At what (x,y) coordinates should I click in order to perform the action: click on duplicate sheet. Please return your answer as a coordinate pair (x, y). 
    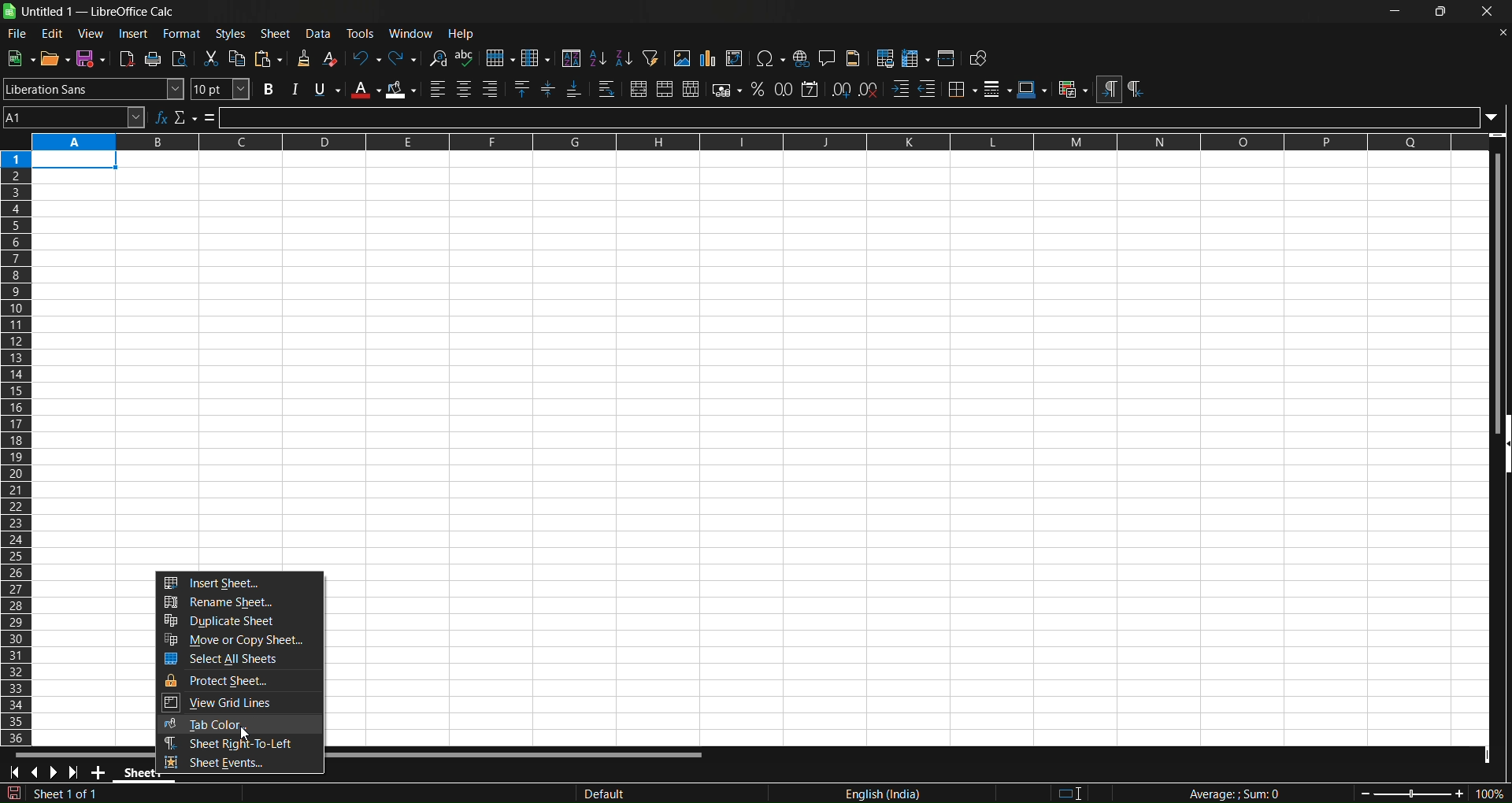
    Looking at the image, I should click on (241, 622).